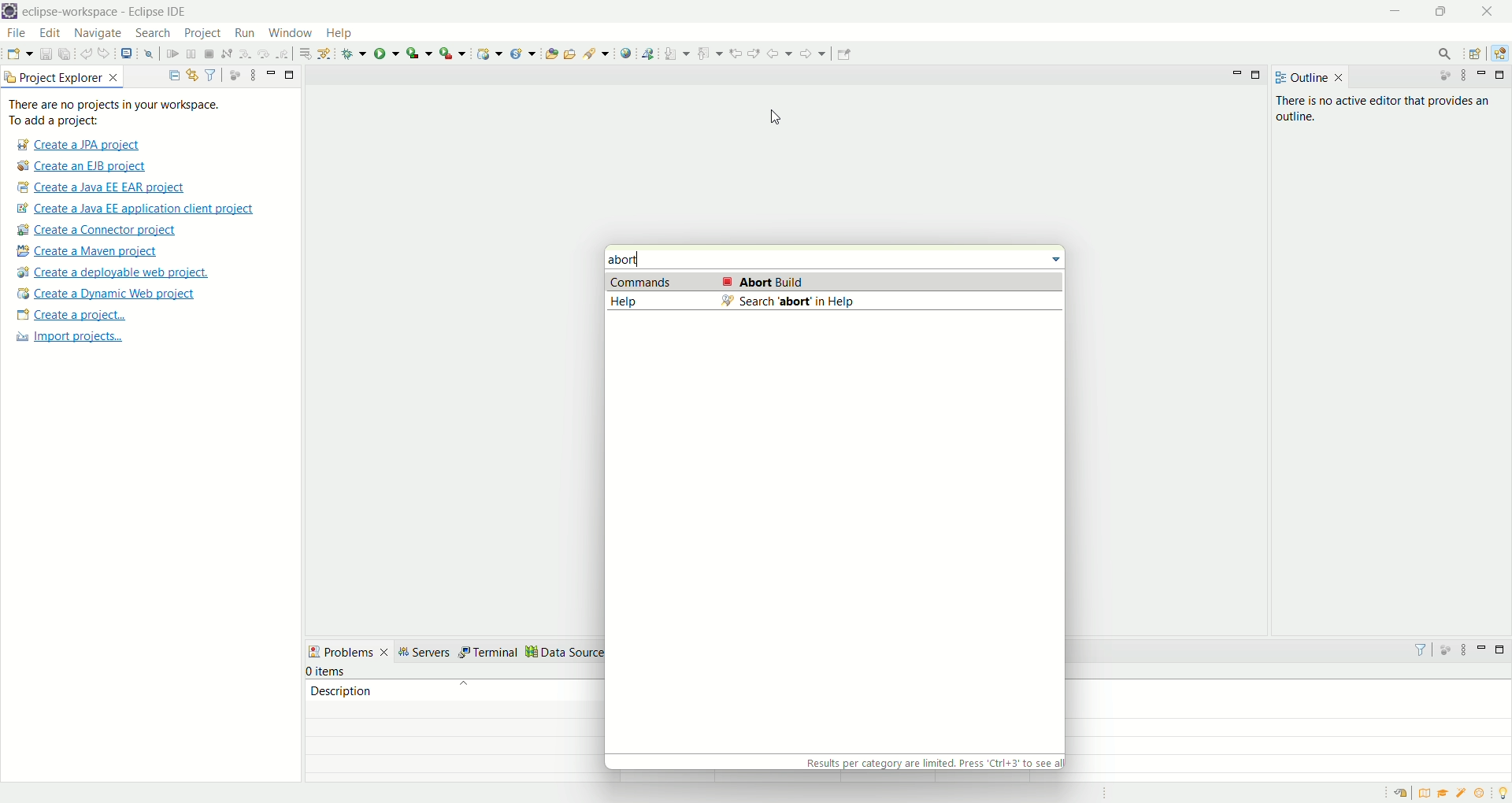 This screenshot has width=1512, height=803. Describe the element at coordinates (1443, 794) in the screenshot. I see `tutorial` at that location.